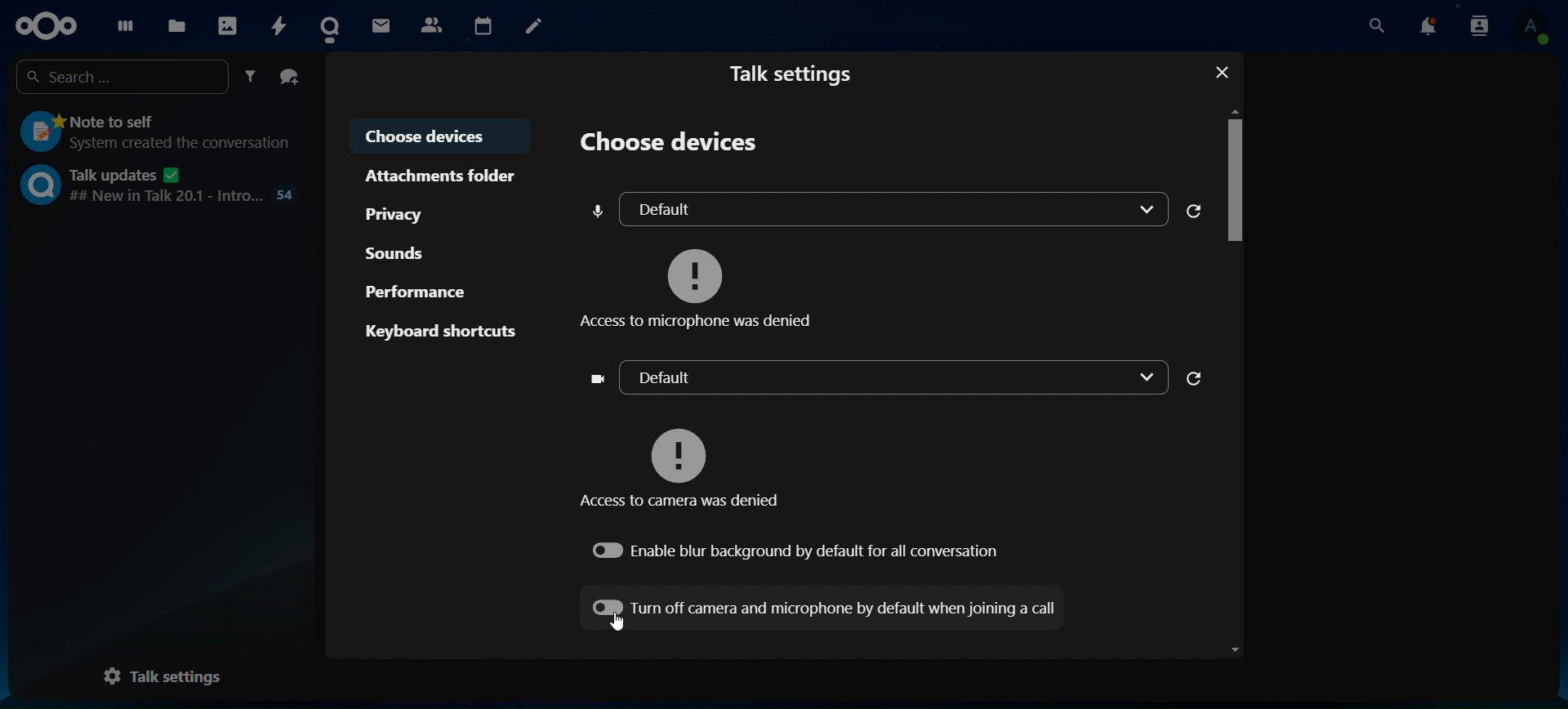 The height and width of the screenshot is (709, 1568). What do you see at coordinates (423, 295) in the screenshot?
I see `performance` at bounding box center [423, 295].